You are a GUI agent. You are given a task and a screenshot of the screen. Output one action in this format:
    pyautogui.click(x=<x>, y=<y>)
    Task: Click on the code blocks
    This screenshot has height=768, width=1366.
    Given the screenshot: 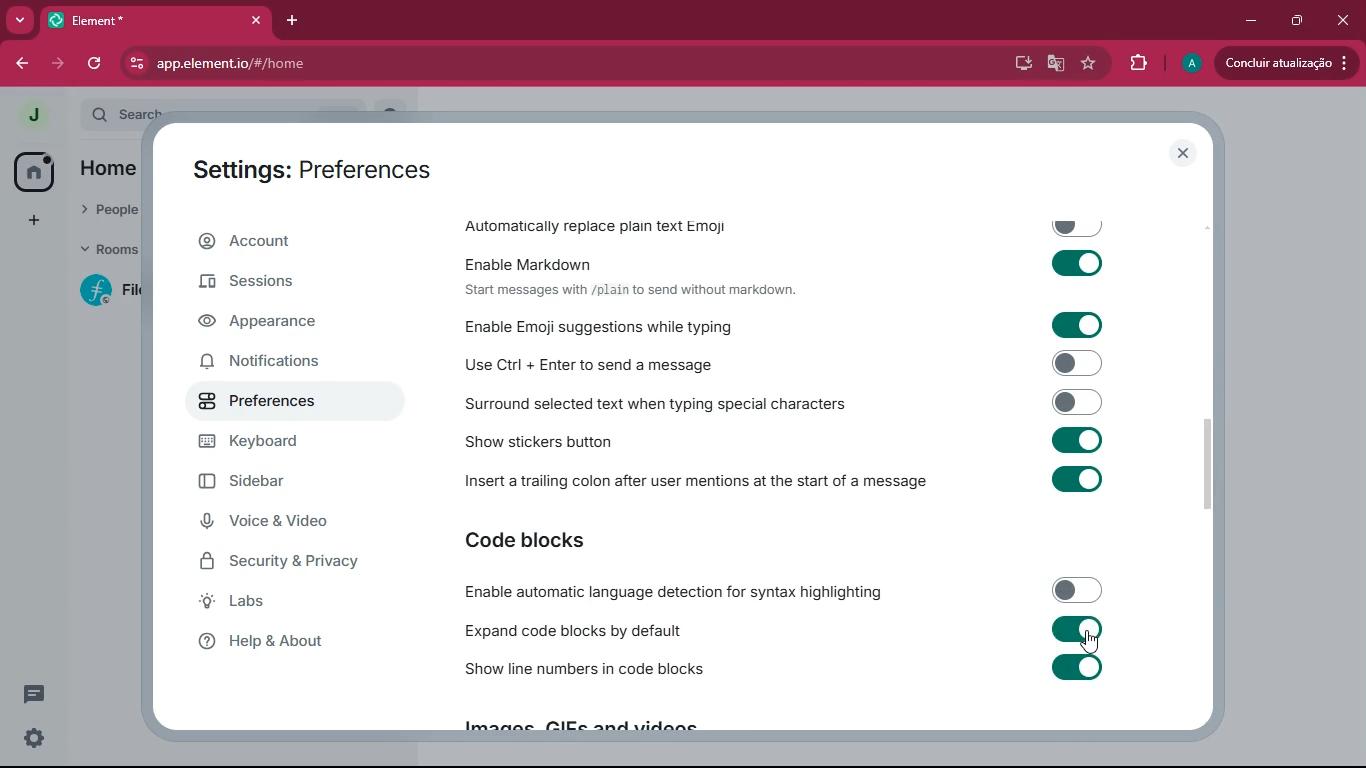 What is the action you would take?
    pyautogui.click(x=575, y=540)
    